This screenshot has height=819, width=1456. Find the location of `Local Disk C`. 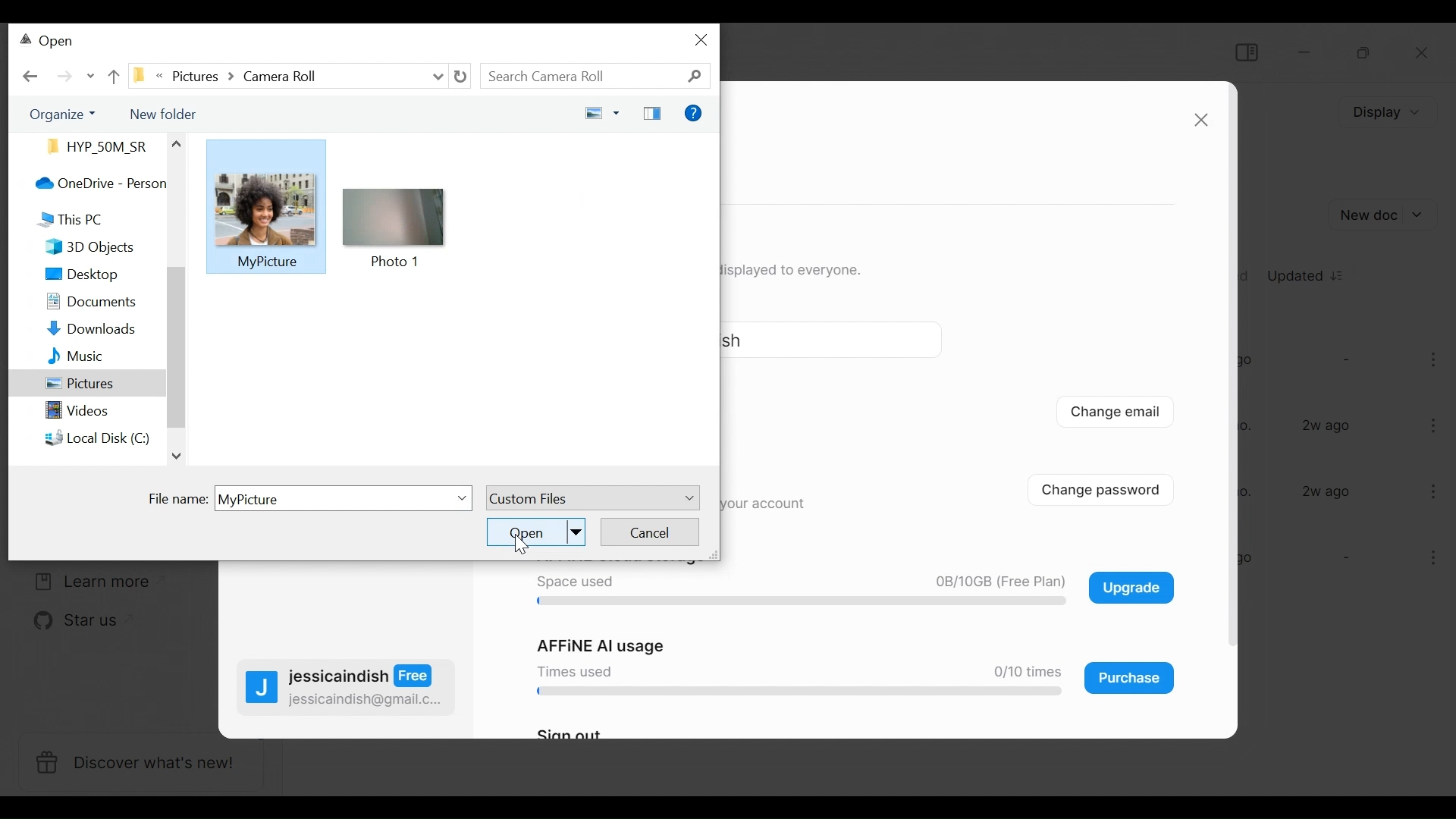

Local Disk C is located at coordinates (85, 438).